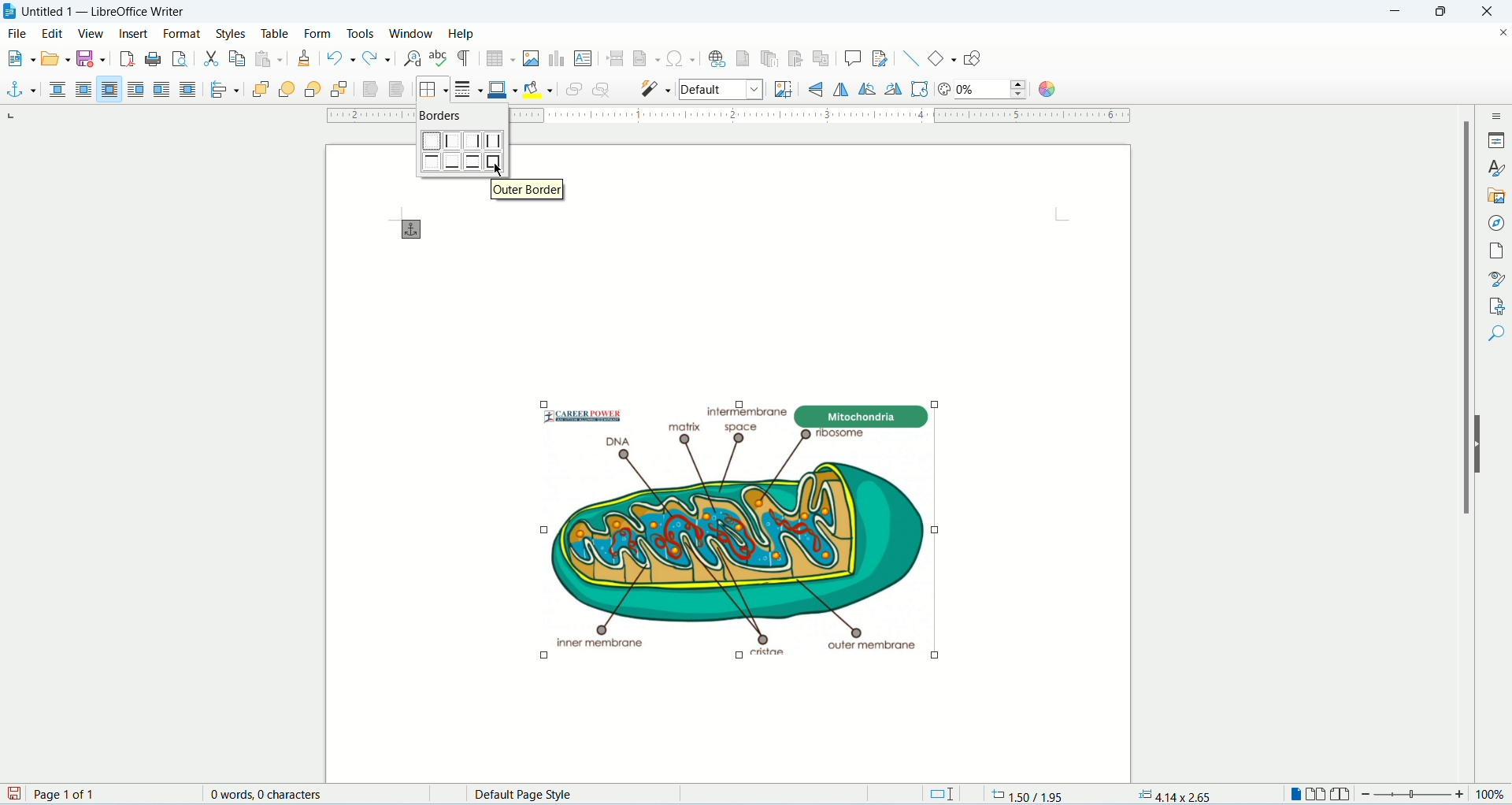 Image resolution: width=1512 pixels, height=805 pixels. What do you see at coordinates (269, 58) in the screenshot?
I see `paste` at bounding box center [269, 58].